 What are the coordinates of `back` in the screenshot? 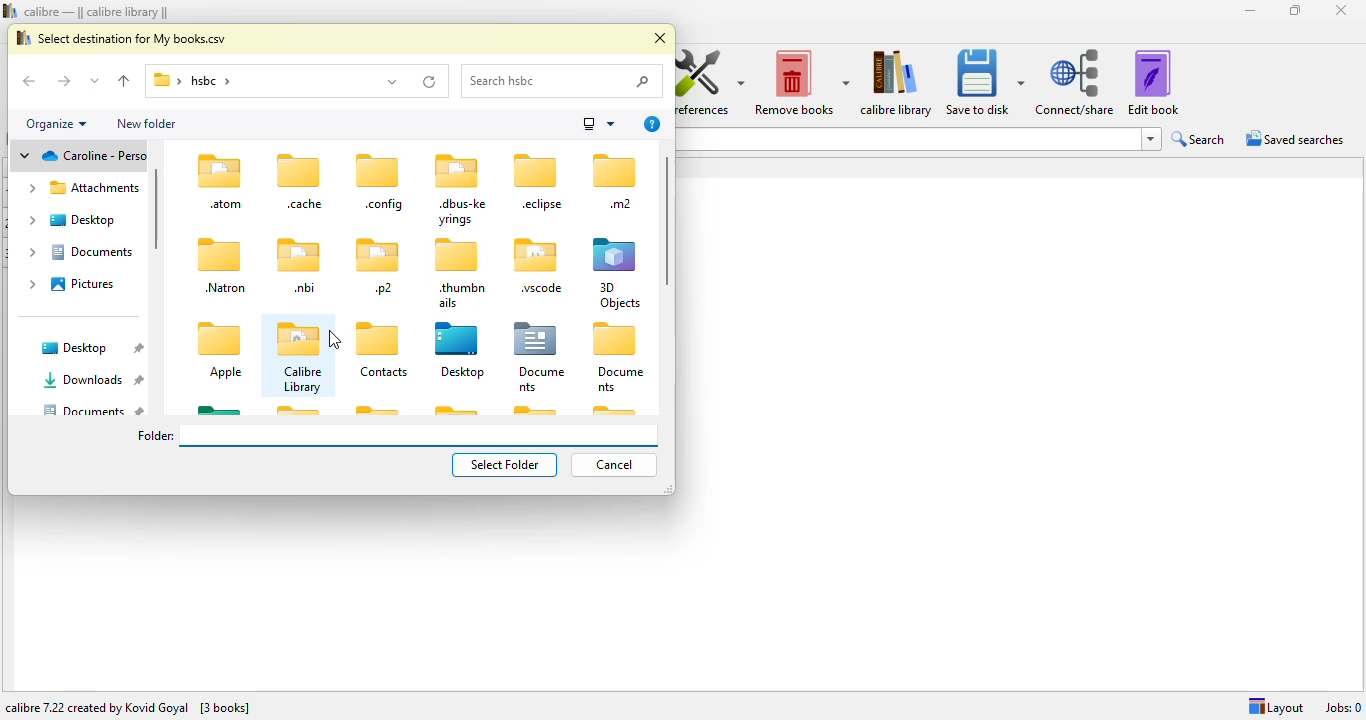 It's located at (32, 82).